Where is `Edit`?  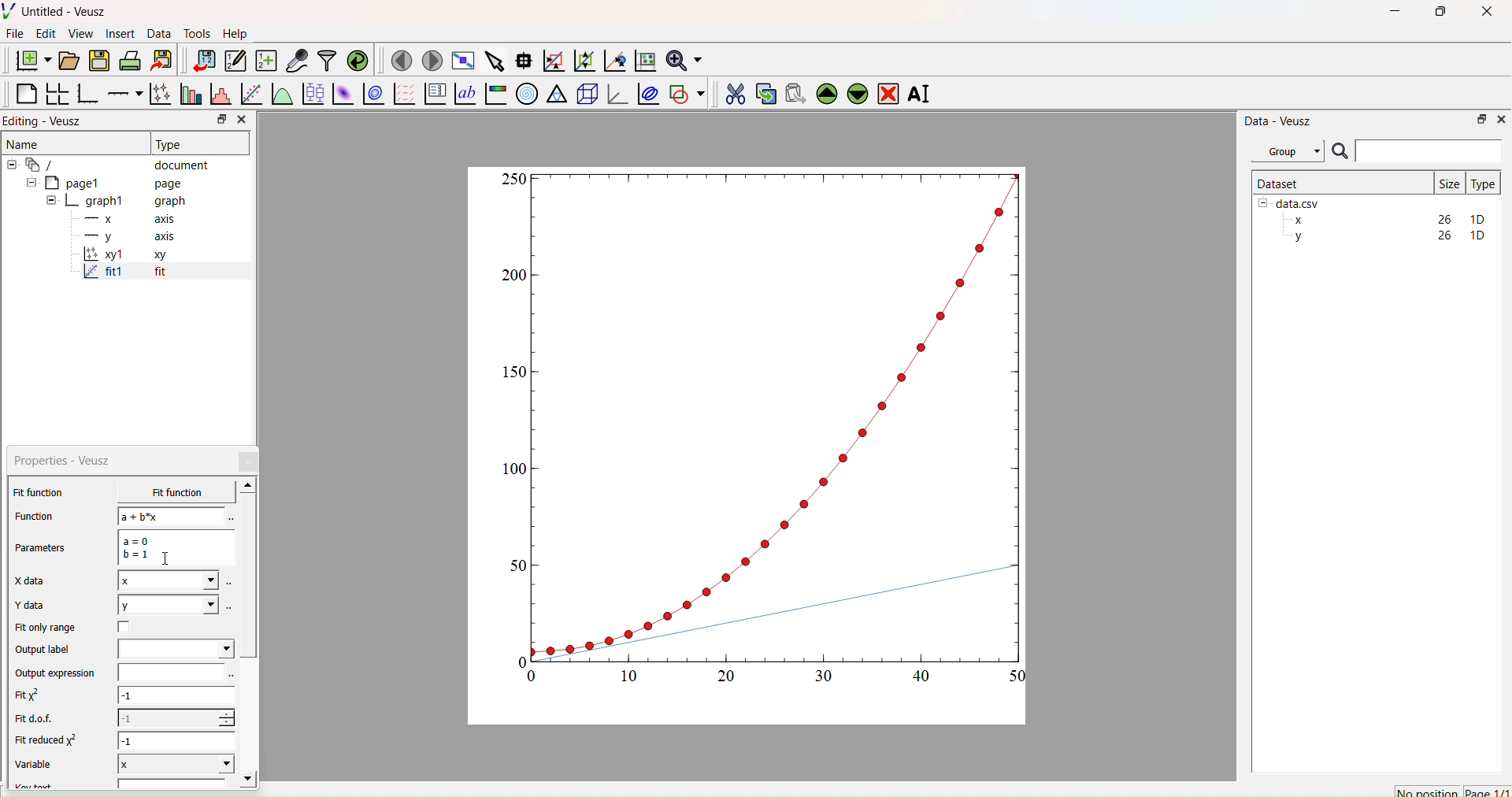 Edit is located at coordinates (44, 33).